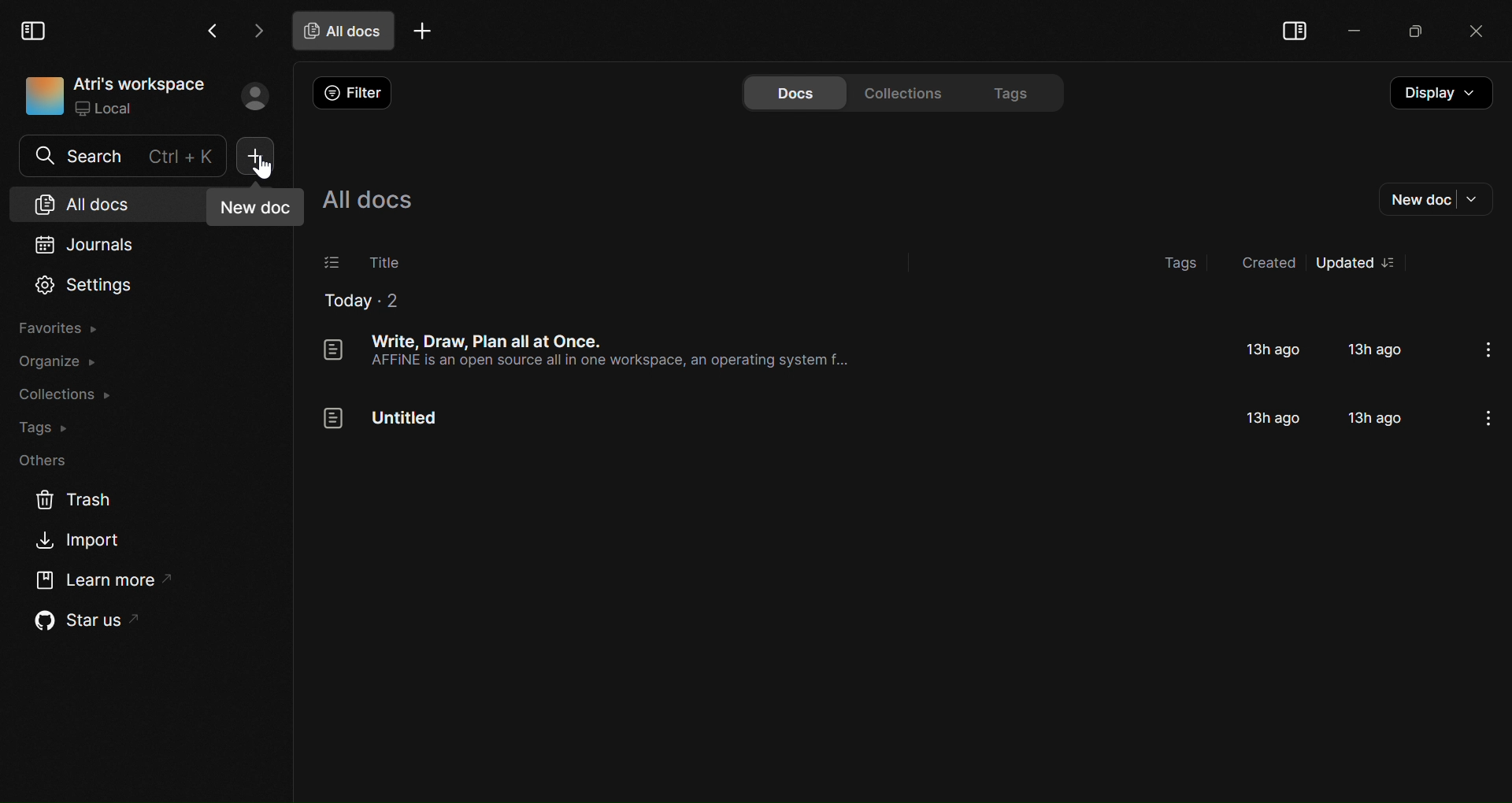 The height and width of the screenshot is (803, 1512). I want to click on icon, so click(333, 350).